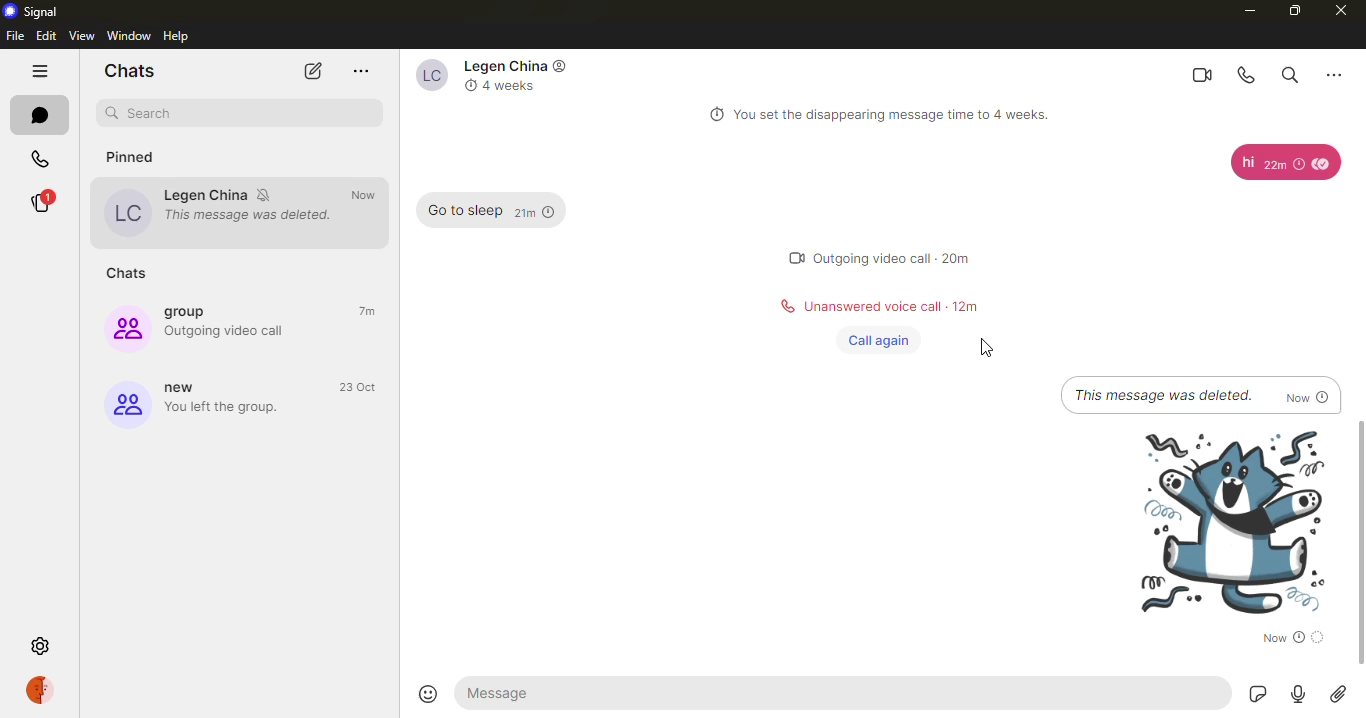  I want to click on chats, so click(42, 115).